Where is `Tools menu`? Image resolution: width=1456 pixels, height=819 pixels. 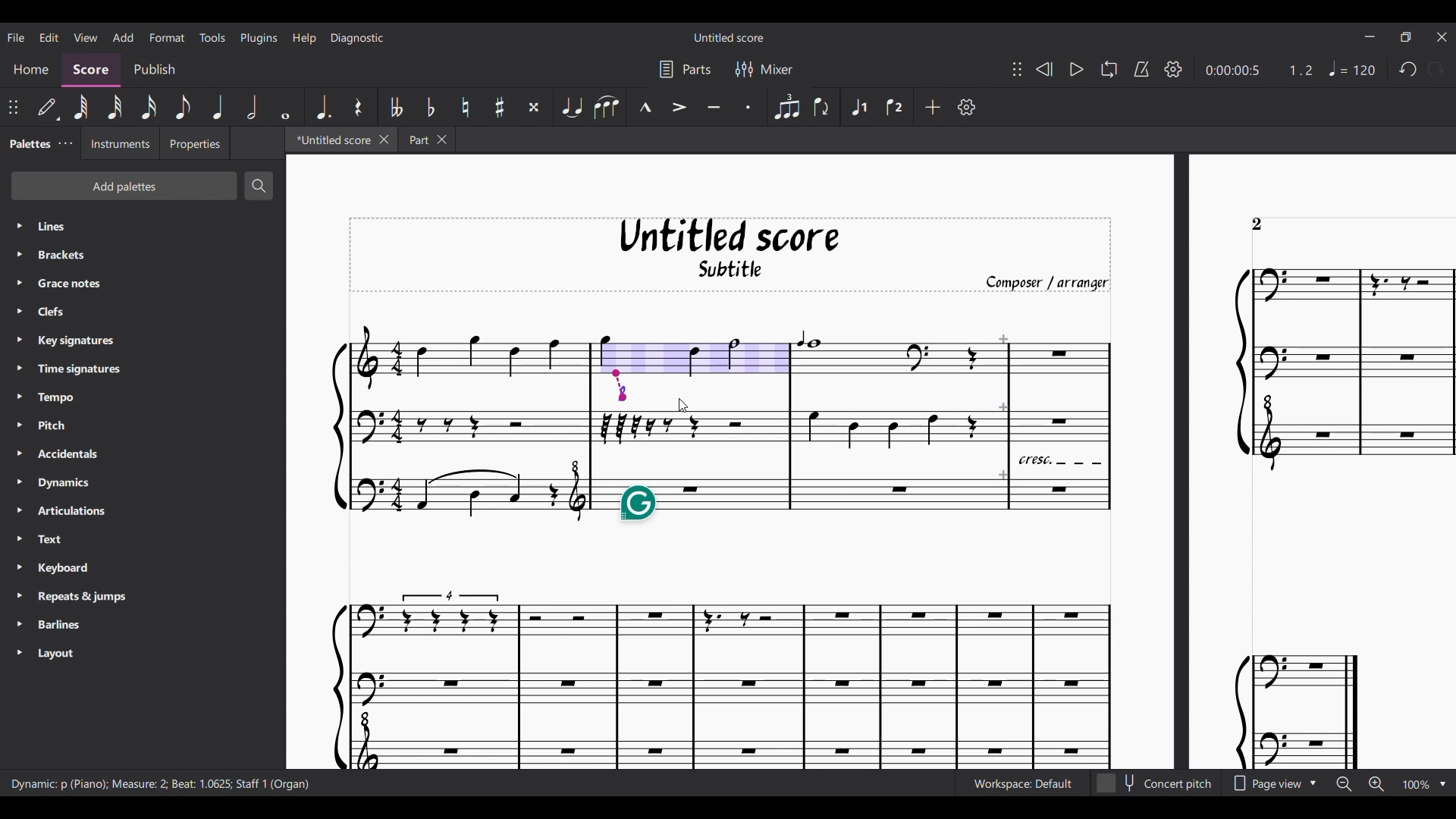
Tools menu is located at coordinates (212, 37).